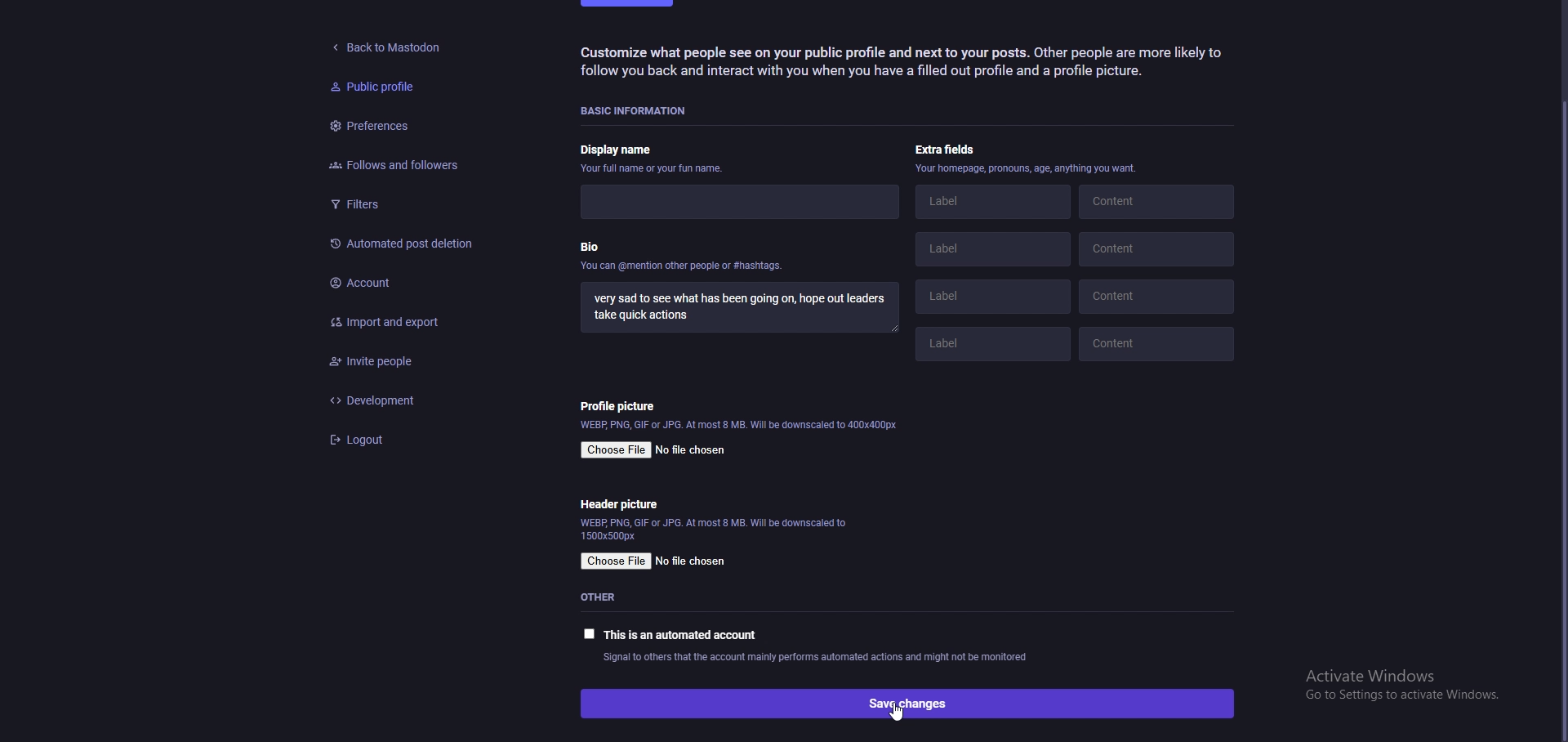  Describe the element at coordinates (987, 347) in the screenshot. I see `label` at that location.